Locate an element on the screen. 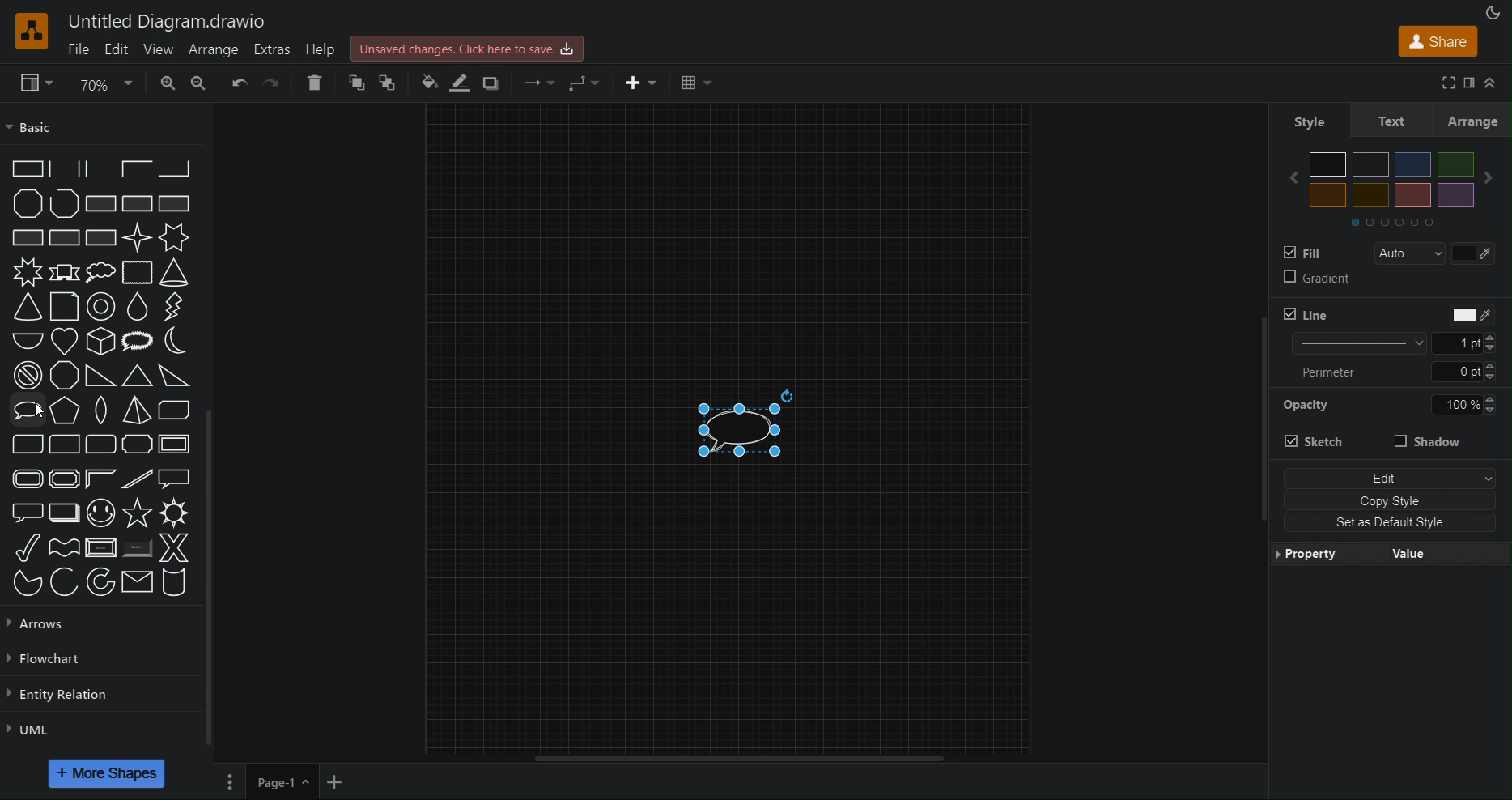 This screenshot has height=800, width=1512. Frame Corner is located at coordinates (101, 479).